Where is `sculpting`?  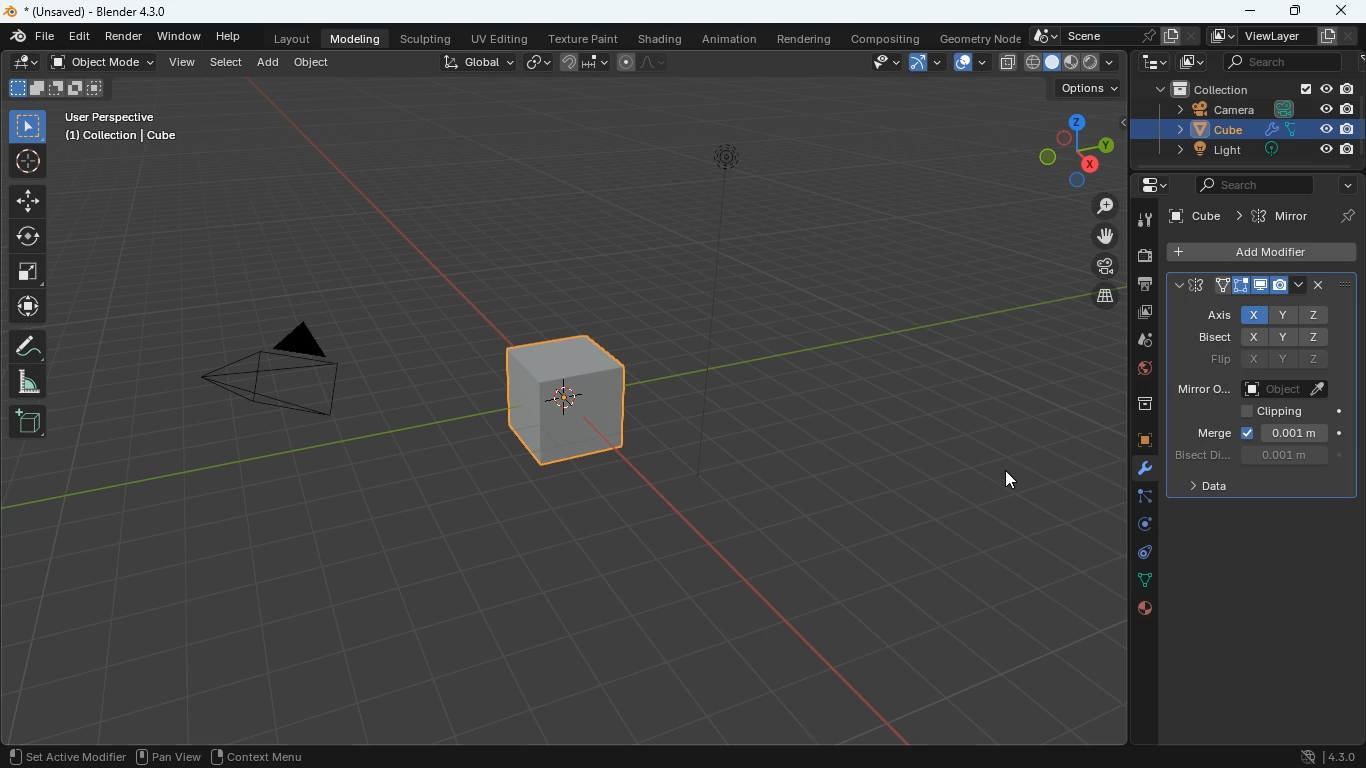 sculpting is located at coordinates (429, 38).